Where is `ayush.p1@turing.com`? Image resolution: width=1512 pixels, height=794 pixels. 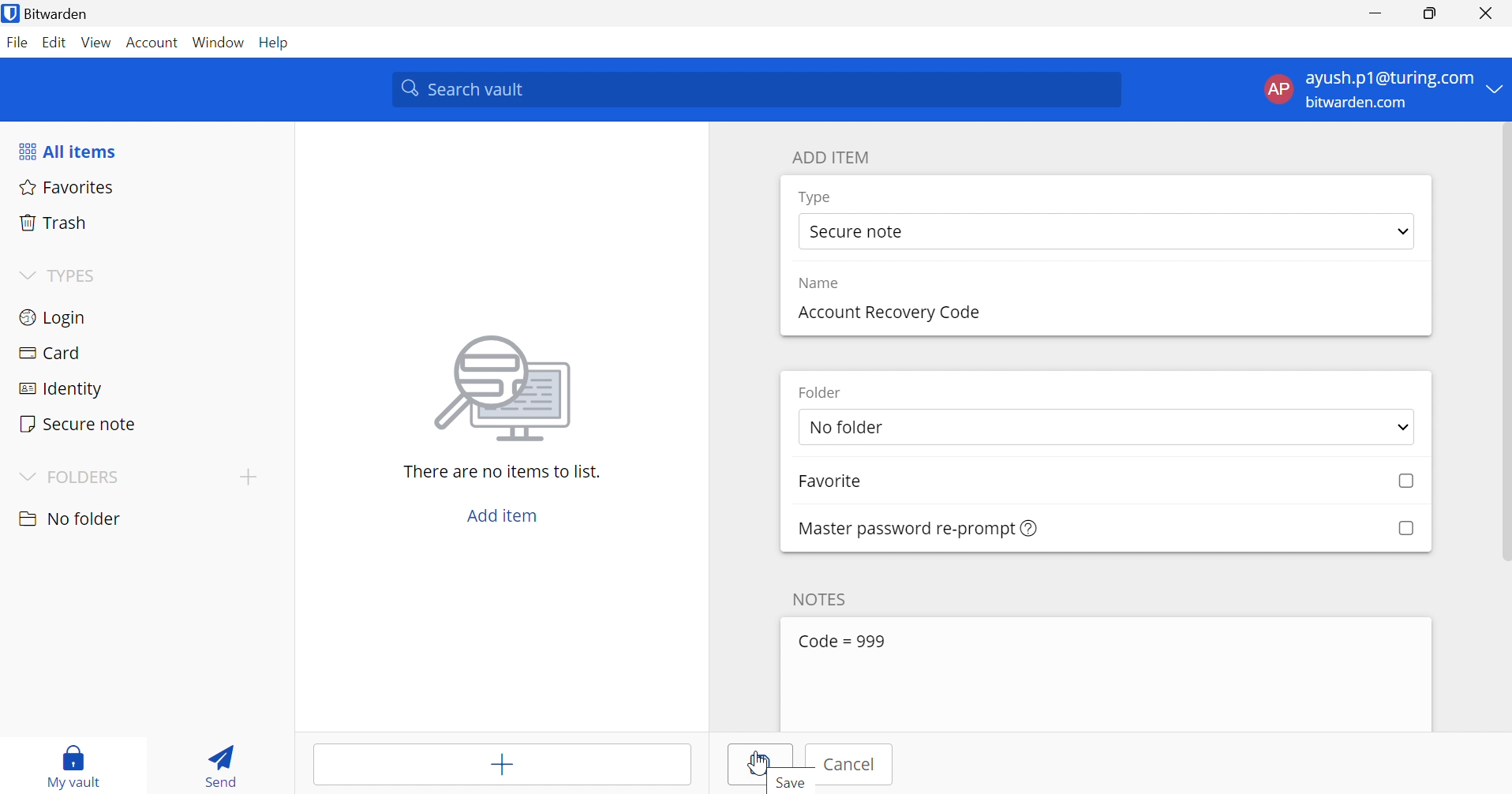 ayush.p1@turing.com is located at coordinates (1389, 79).